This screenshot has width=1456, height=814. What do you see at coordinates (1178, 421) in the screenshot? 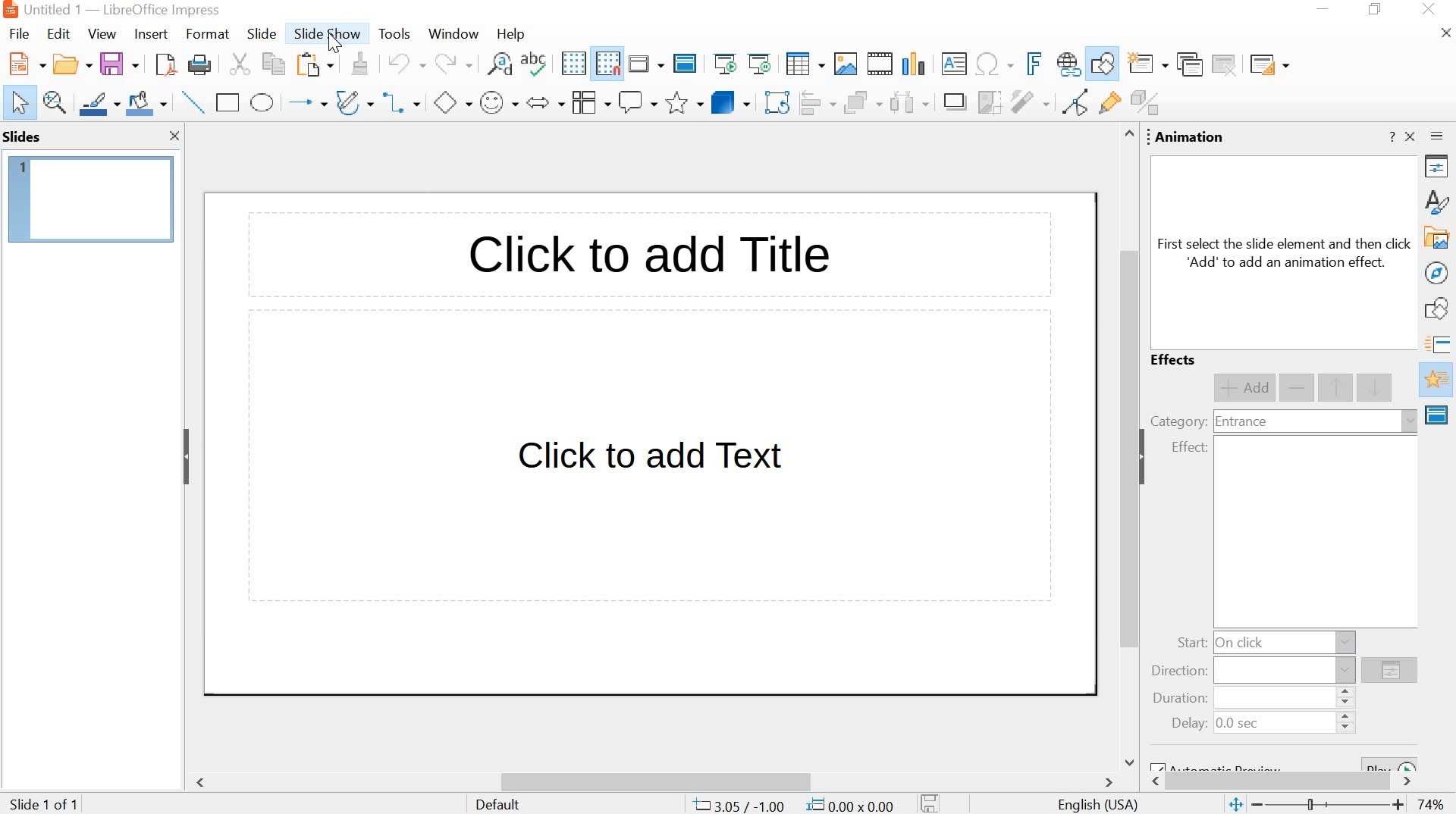
I see `category` at bounding box center [1178, 421].